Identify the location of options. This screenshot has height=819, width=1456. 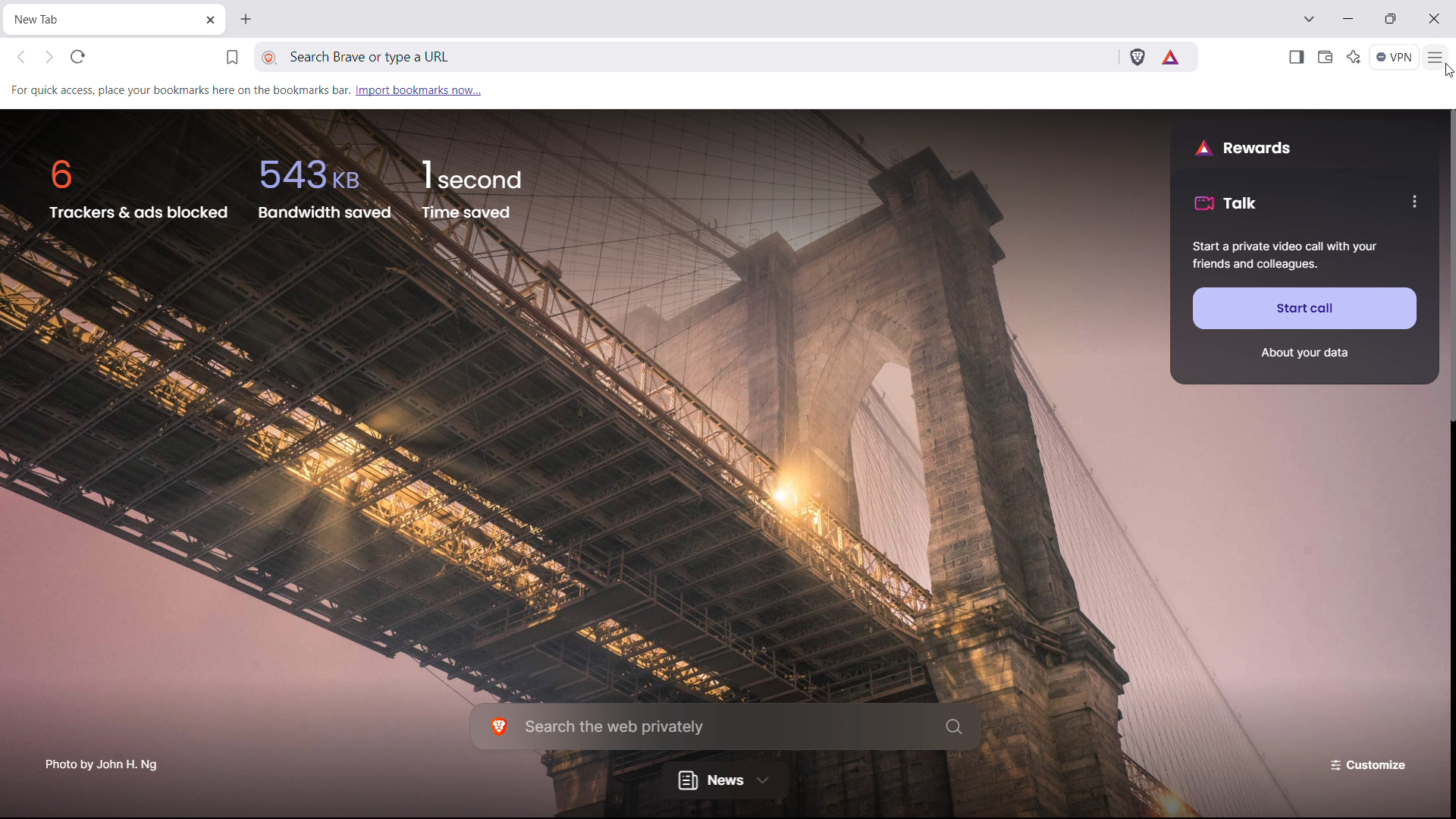
(1413, 203).